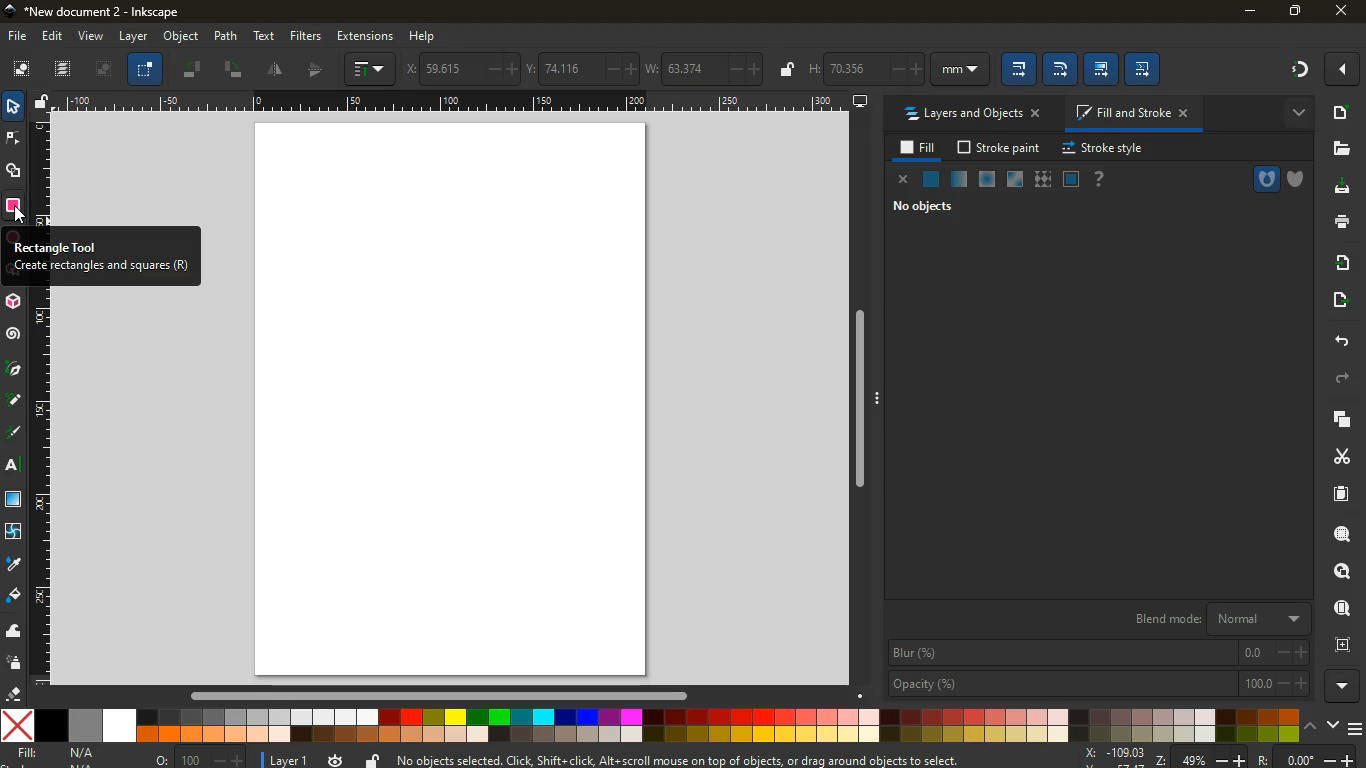  What do you see at coordinates (15, 208) in the screenshot?
I see `rectangle tool` at bounding box center [15, 208].